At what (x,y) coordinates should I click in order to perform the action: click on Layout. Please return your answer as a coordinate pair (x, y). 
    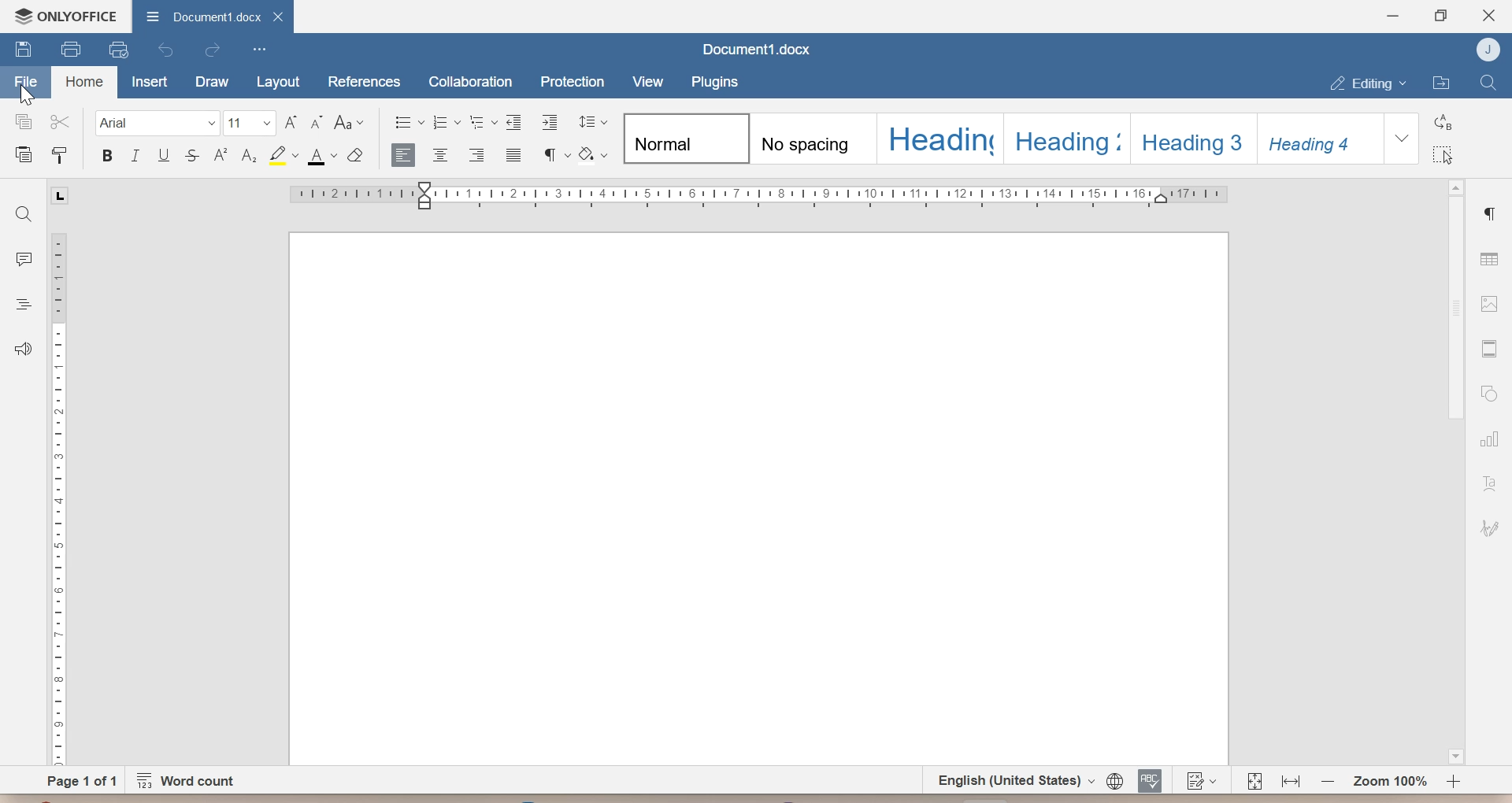
    Looking at the image, I should click on (275, 83).